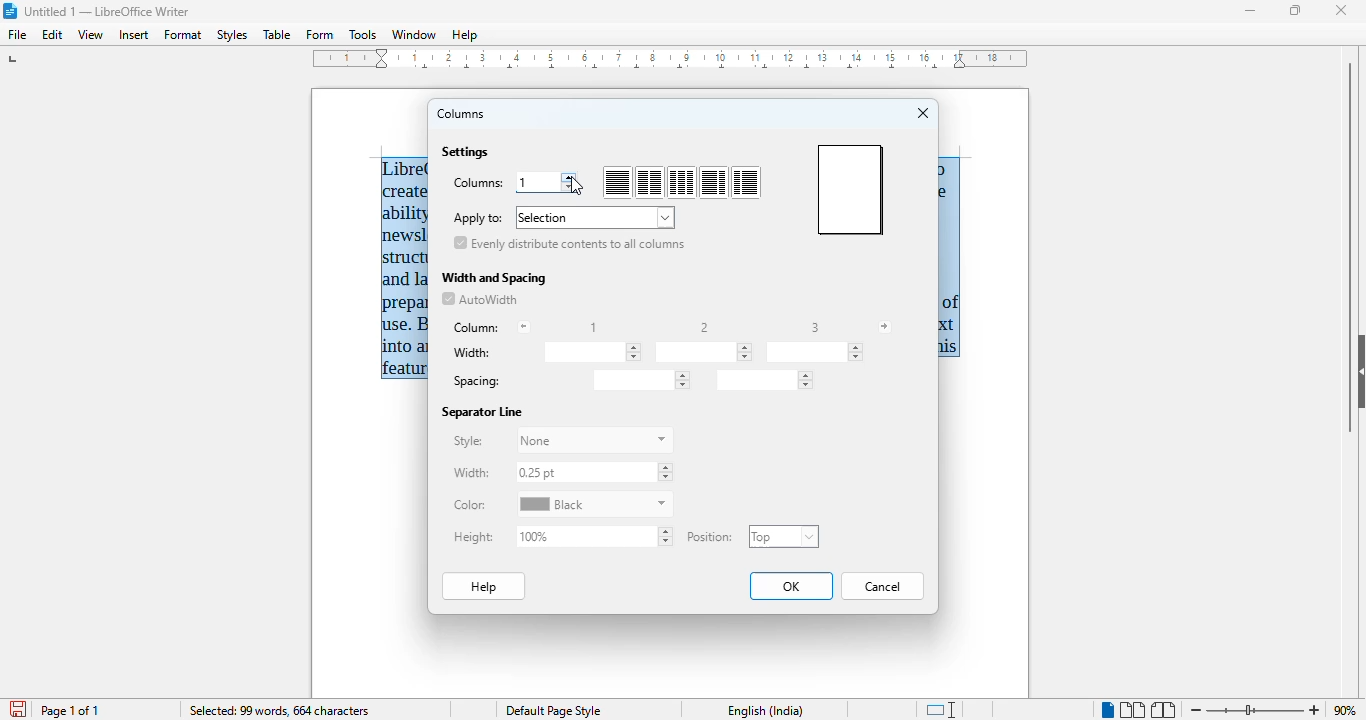  I want to click on Untitled 1 -- LibreOffice Writer, so click(110, 10).